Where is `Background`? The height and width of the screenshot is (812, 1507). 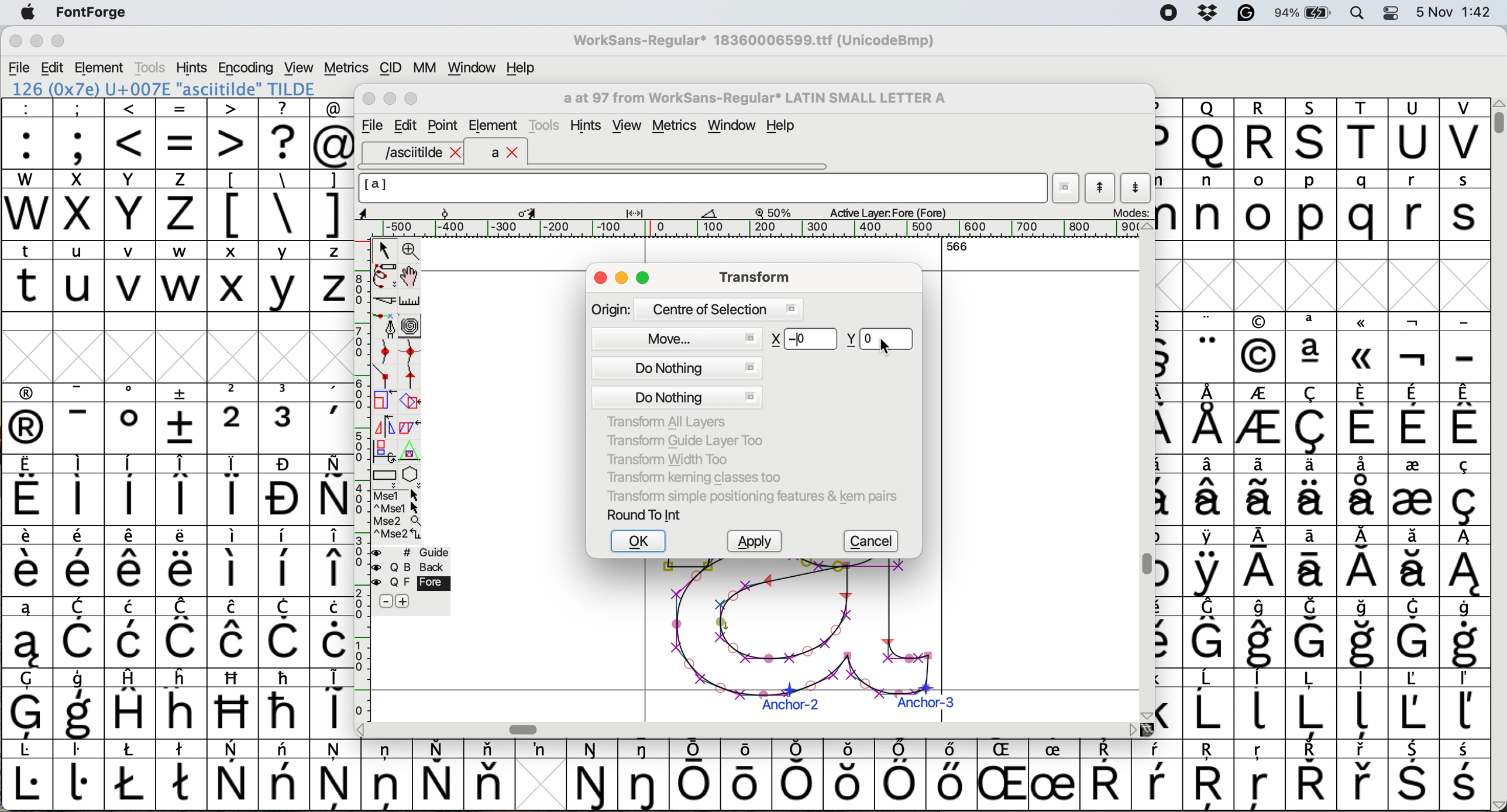 Background is located at coordinates (424, 567).